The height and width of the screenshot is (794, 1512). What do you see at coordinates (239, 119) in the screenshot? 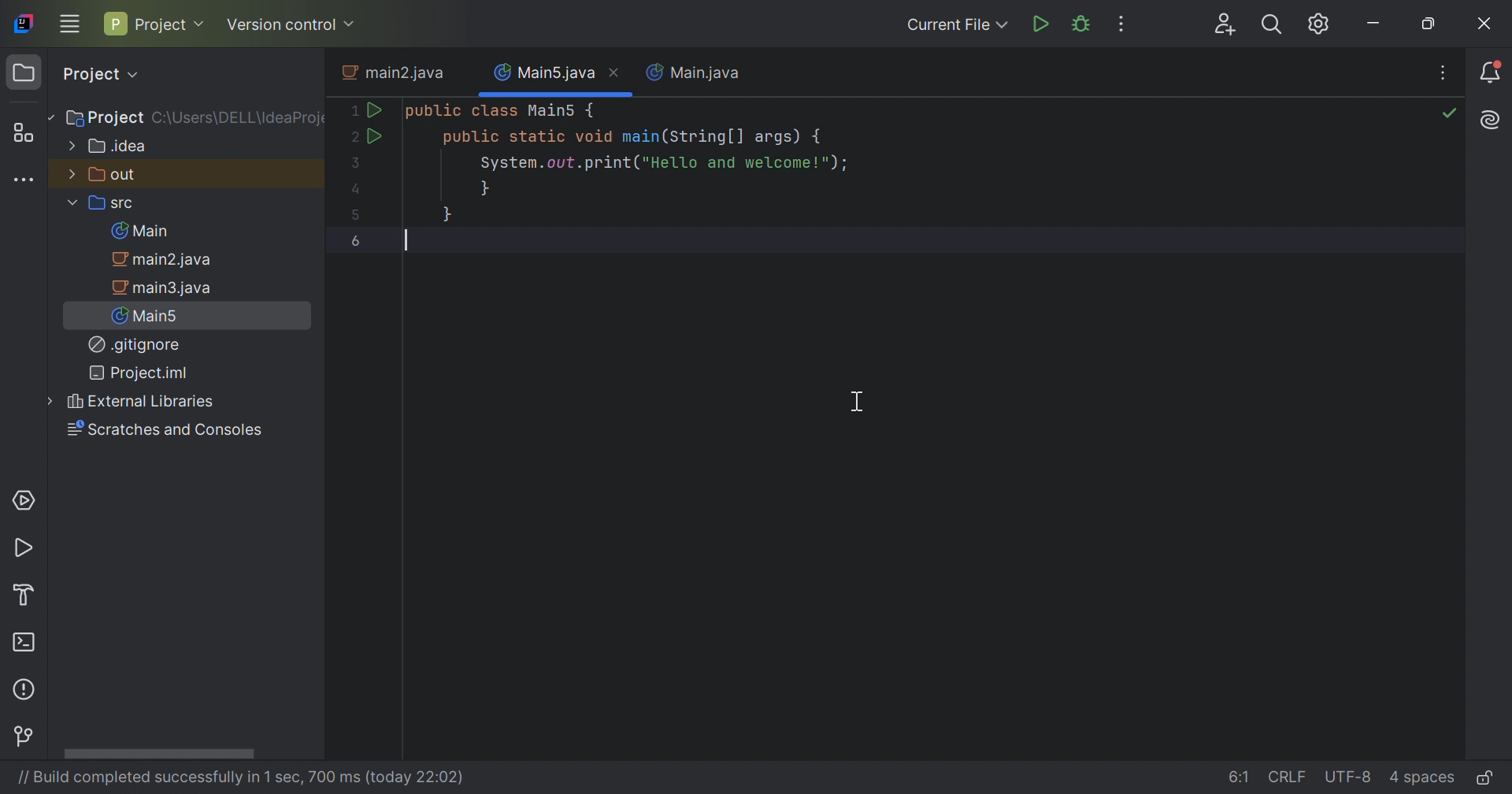
I see `C:\Users\DELL\IdeaProject` at bounding box center [239, 119].